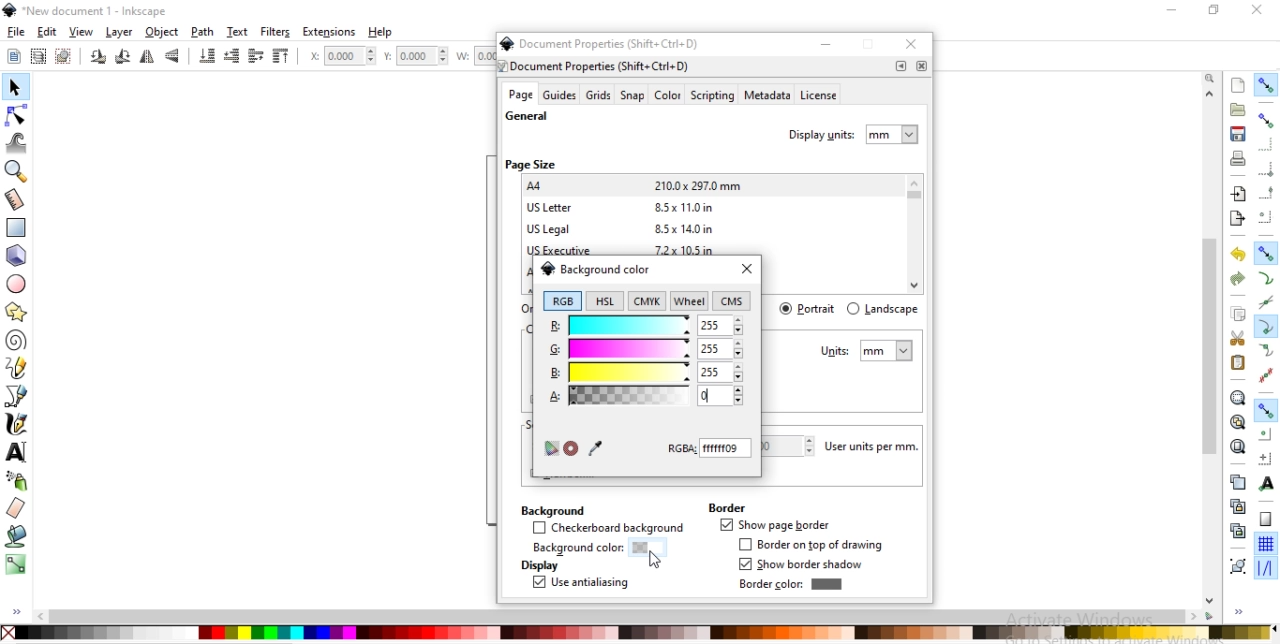 This screenshot has width=1280, height=644. Describe the element at coordinates (1212, 77) in the screenshot. I see `zoom` at that location.